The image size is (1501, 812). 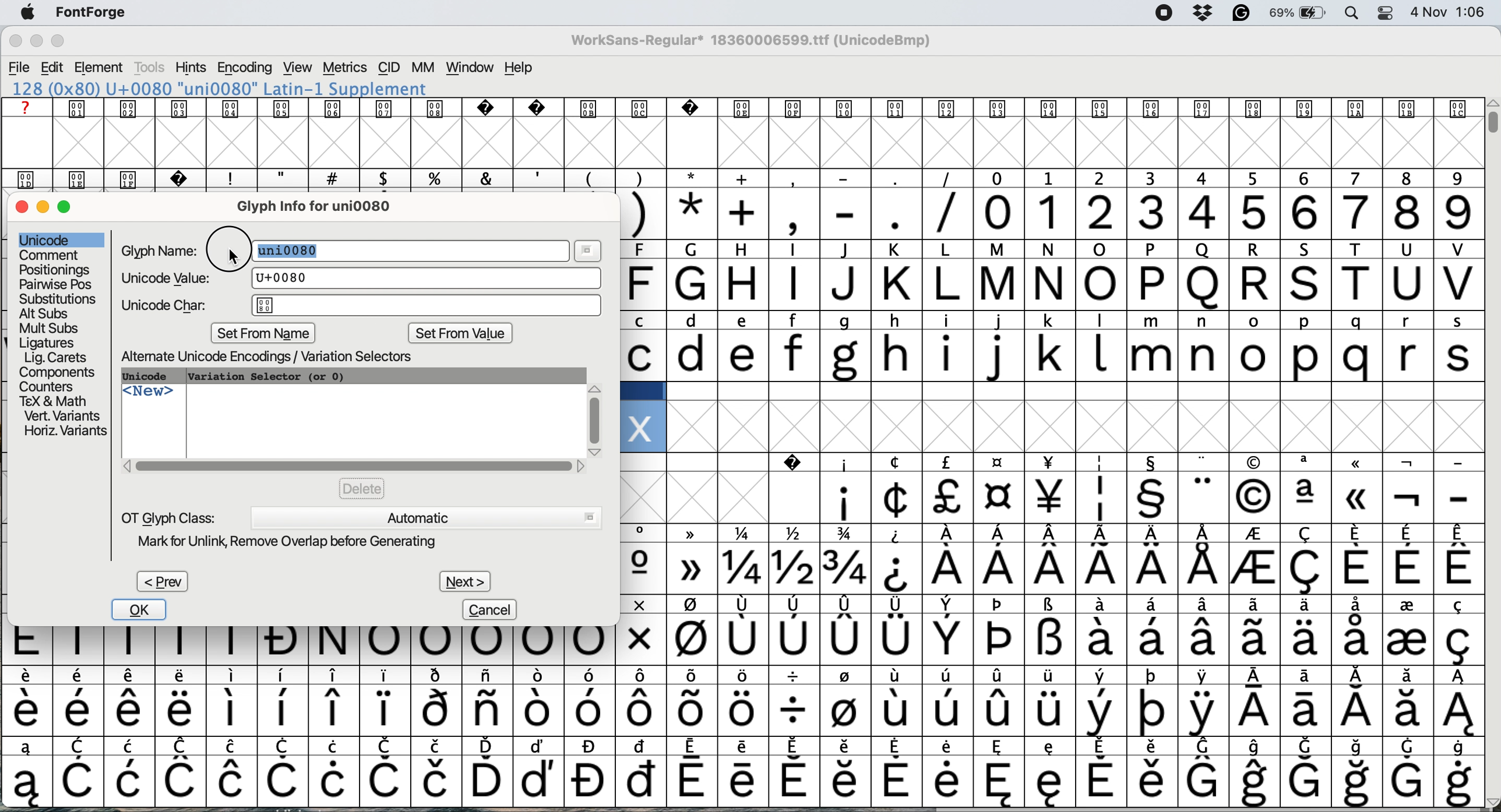 What do you see at coordinates (742, 676) in the screenshot?
I see `special characters` at bounding box center [742, 676].